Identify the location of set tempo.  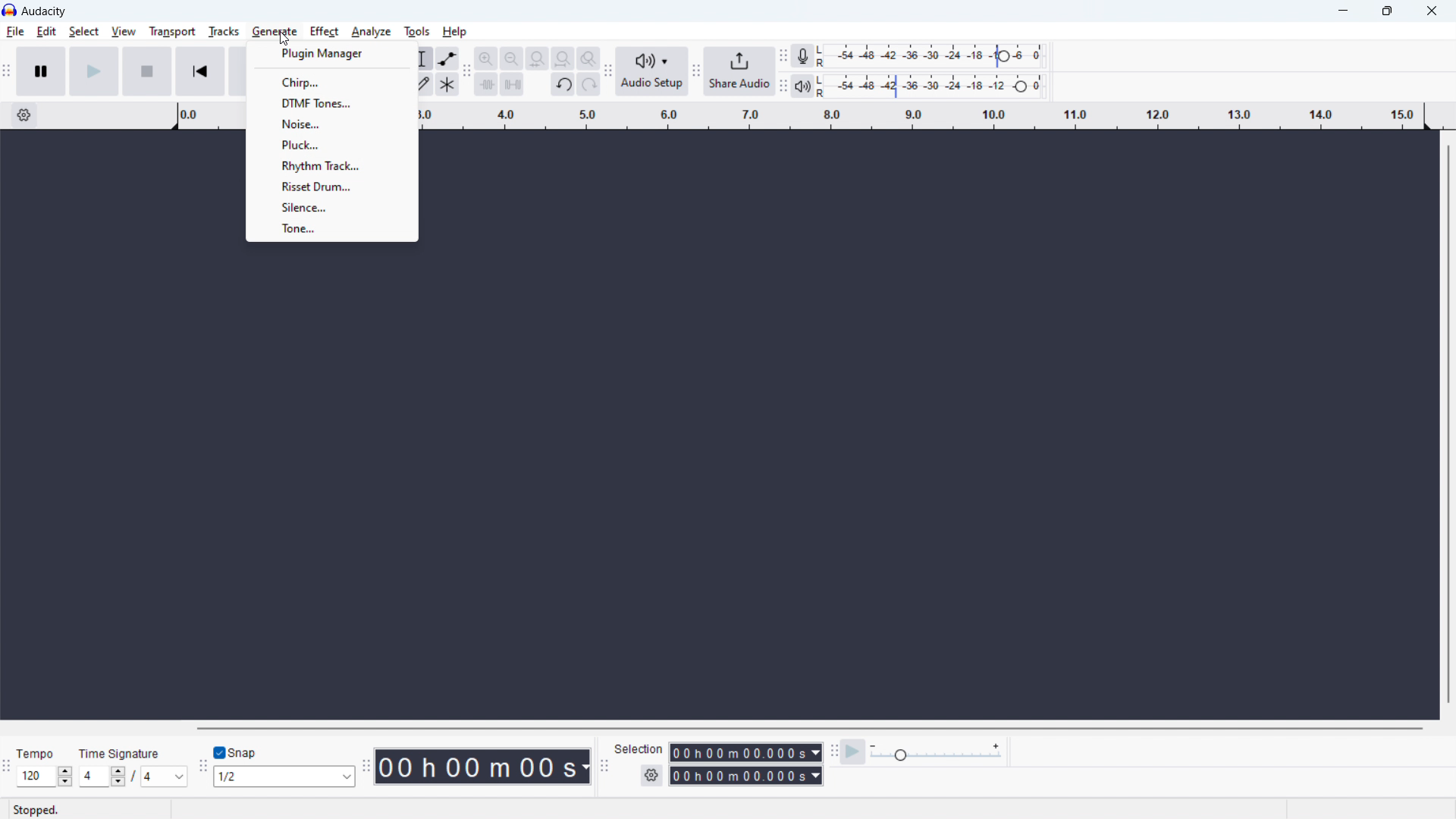
(45, 777).